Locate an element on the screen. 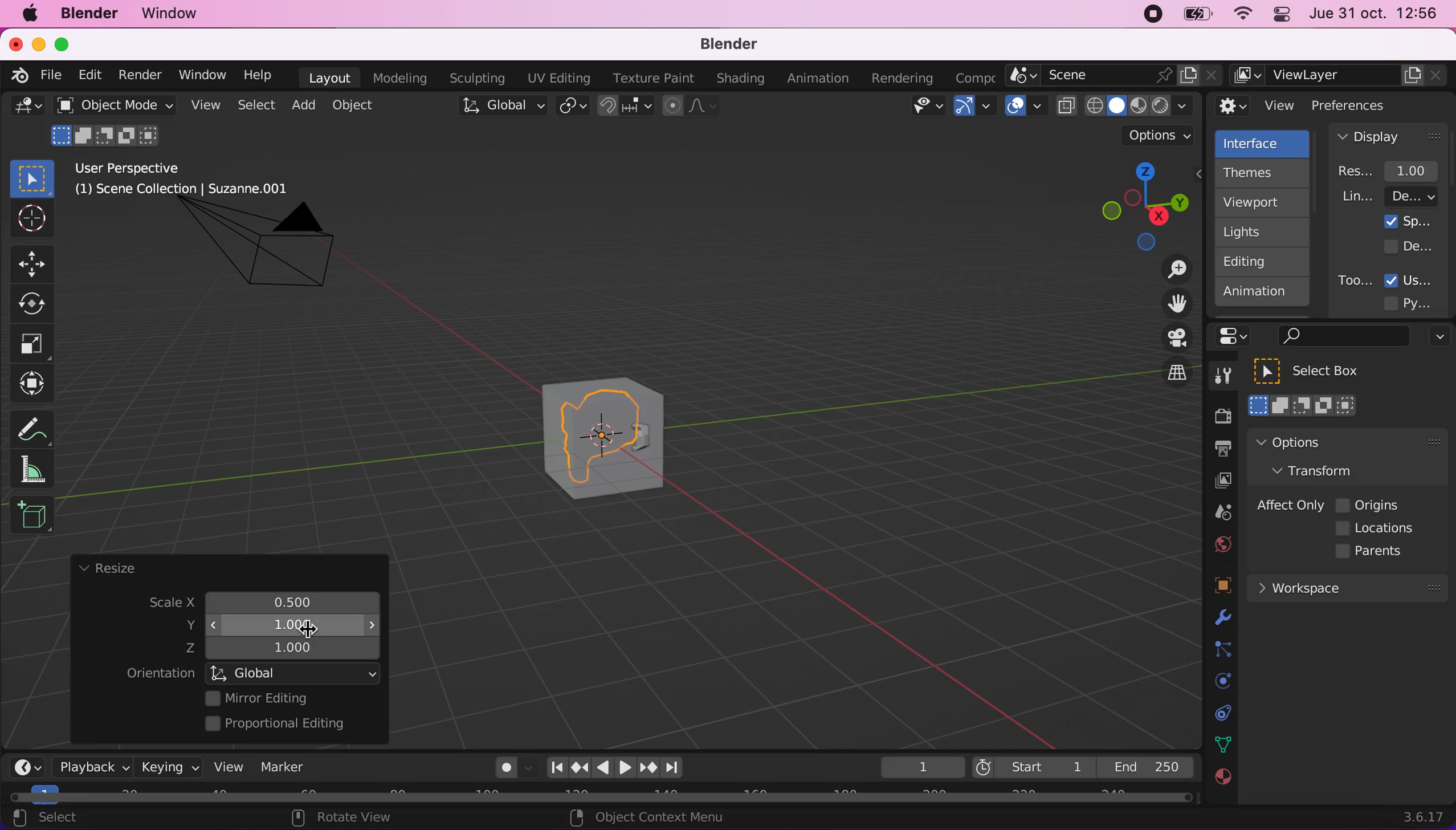 This screenshot has width=1456, height=830. objects is located at coordinates (1209, 587).